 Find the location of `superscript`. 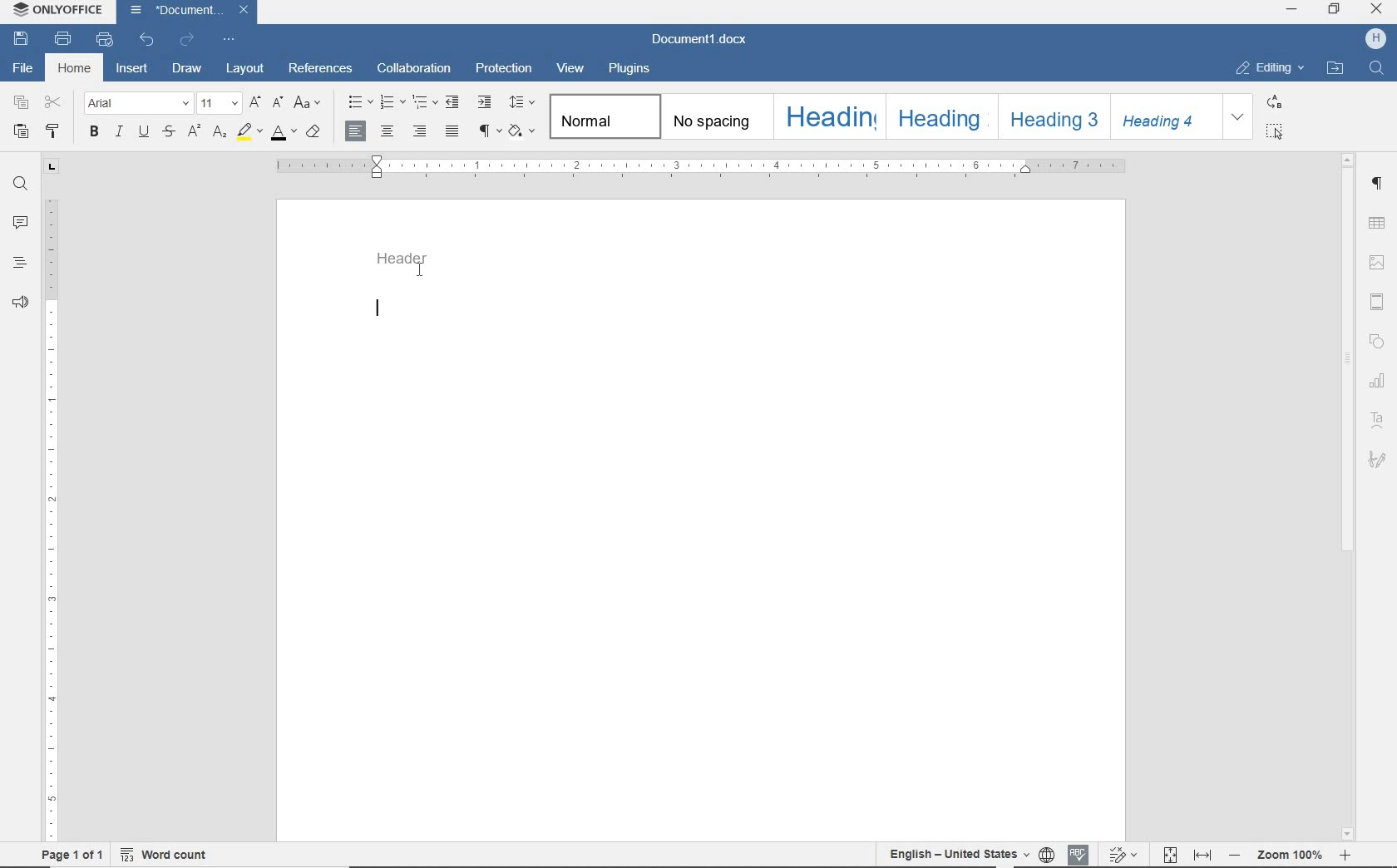

superscript is located at coordinates (192, 131).